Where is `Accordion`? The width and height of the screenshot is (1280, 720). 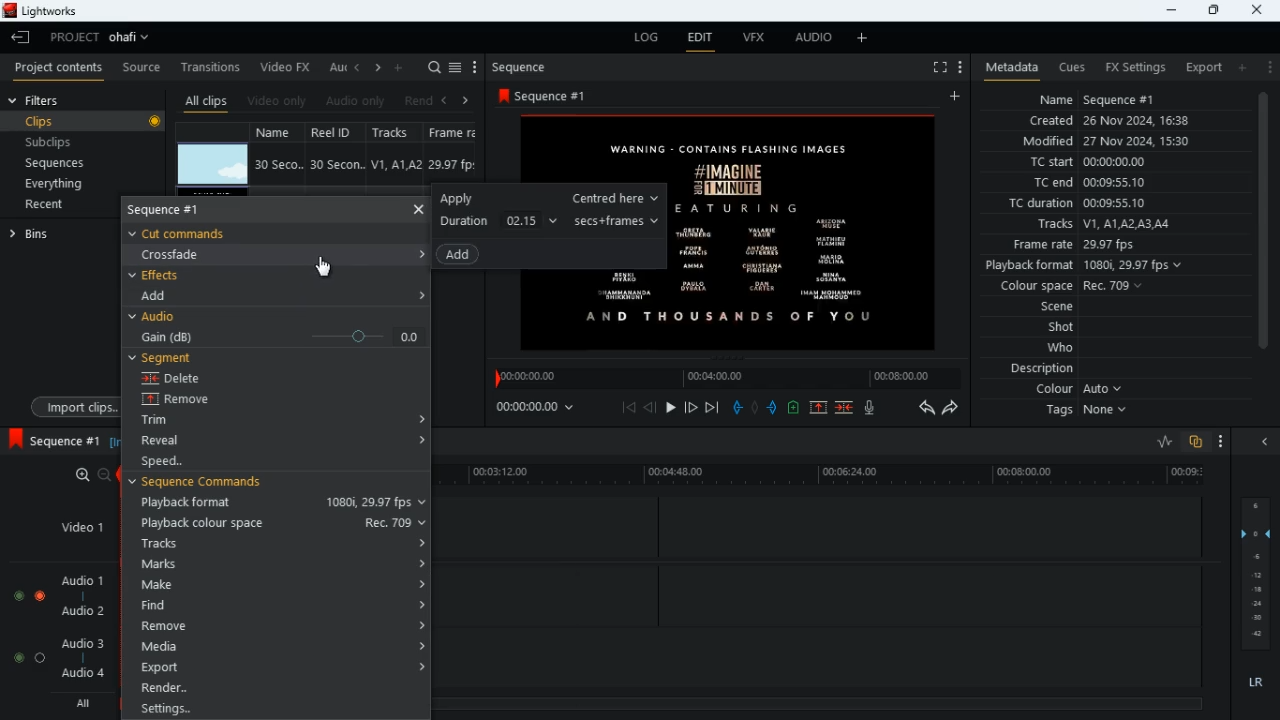
Accordion is located at coordinates (422, 293).